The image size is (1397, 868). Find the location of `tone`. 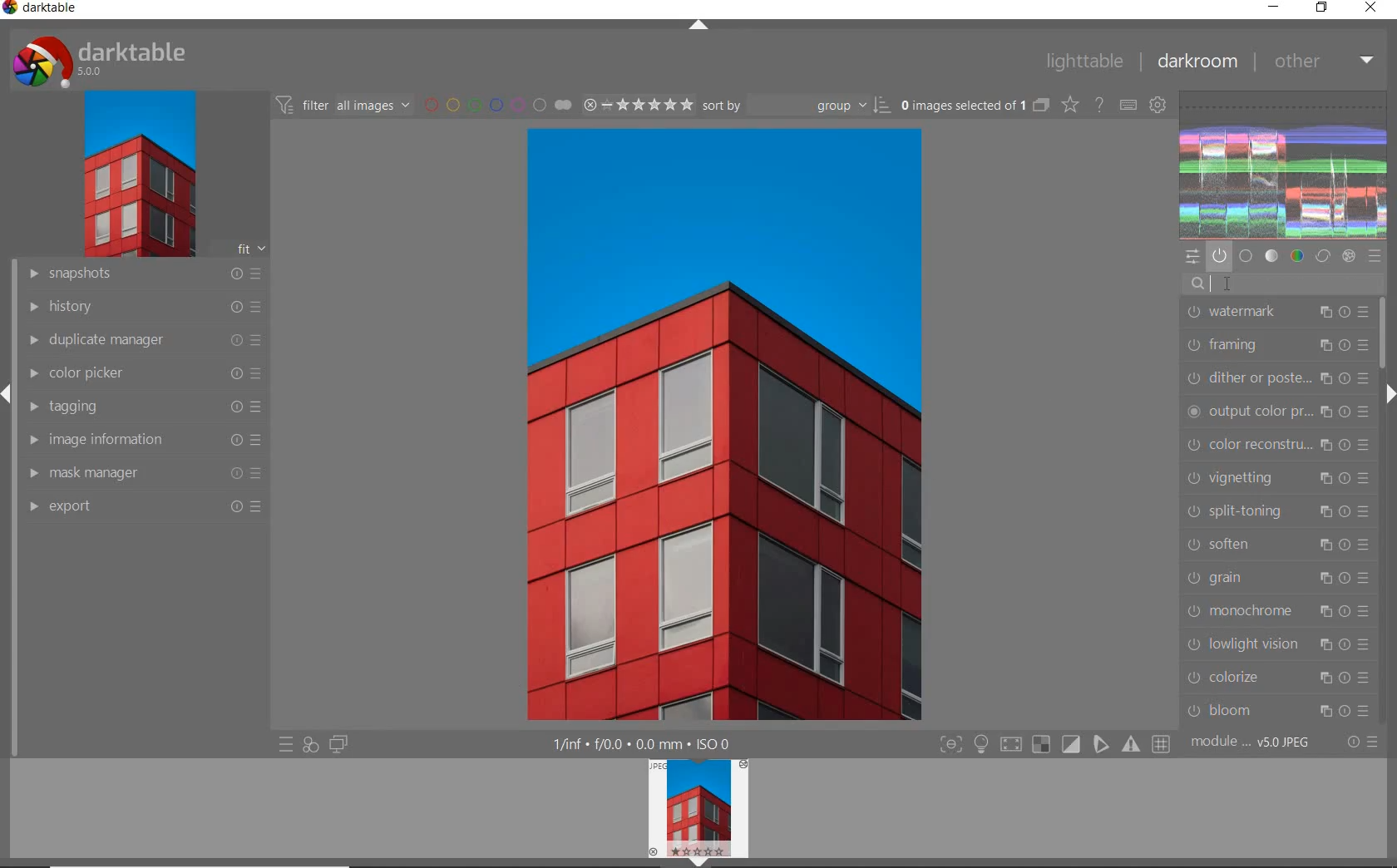

tone is located at coordinates (1271, 257).